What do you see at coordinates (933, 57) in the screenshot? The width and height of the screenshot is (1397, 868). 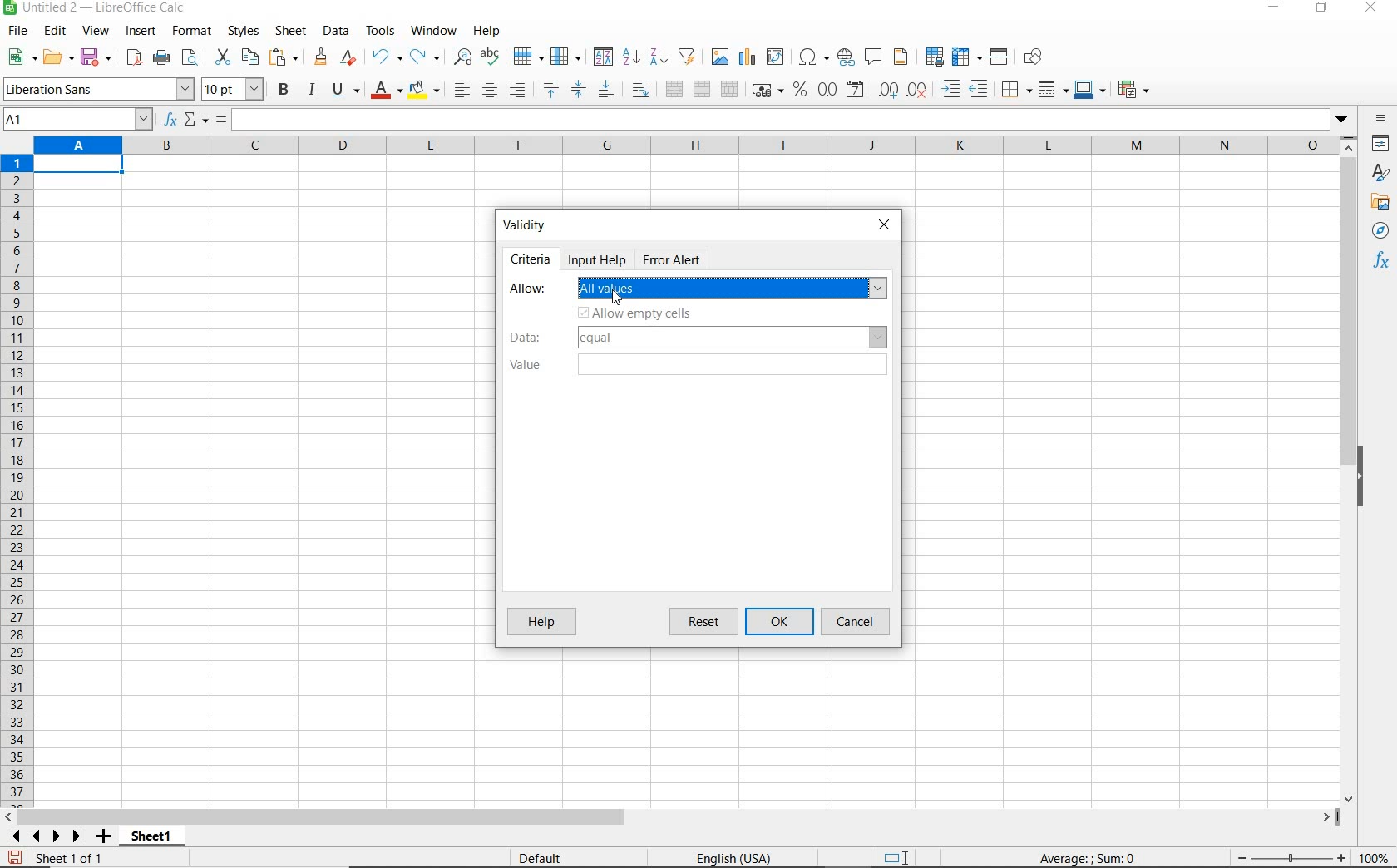 I see `define print area` at bounding box center [933, 57].